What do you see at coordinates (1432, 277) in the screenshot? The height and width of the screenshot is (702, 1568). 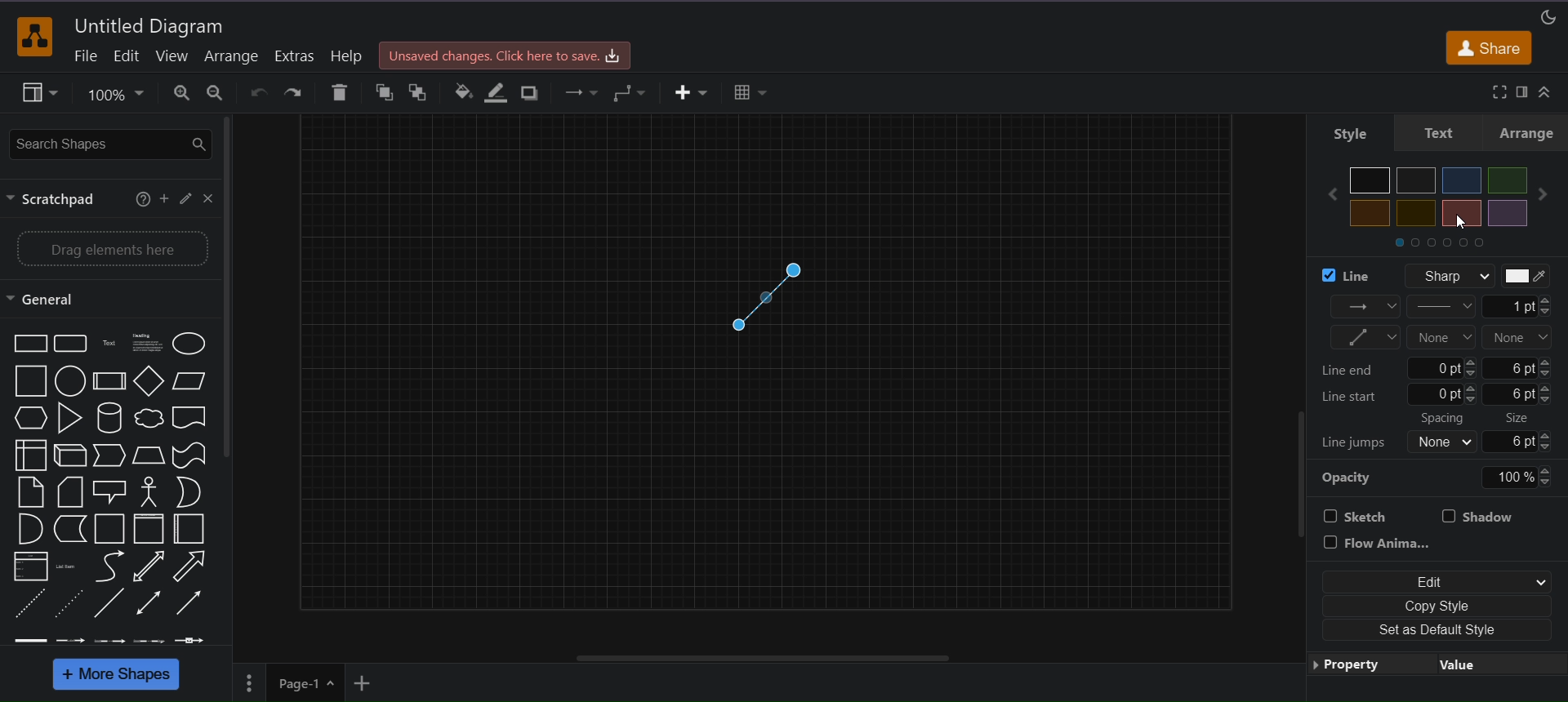 I see `line` at bounding box center [1432, 277].